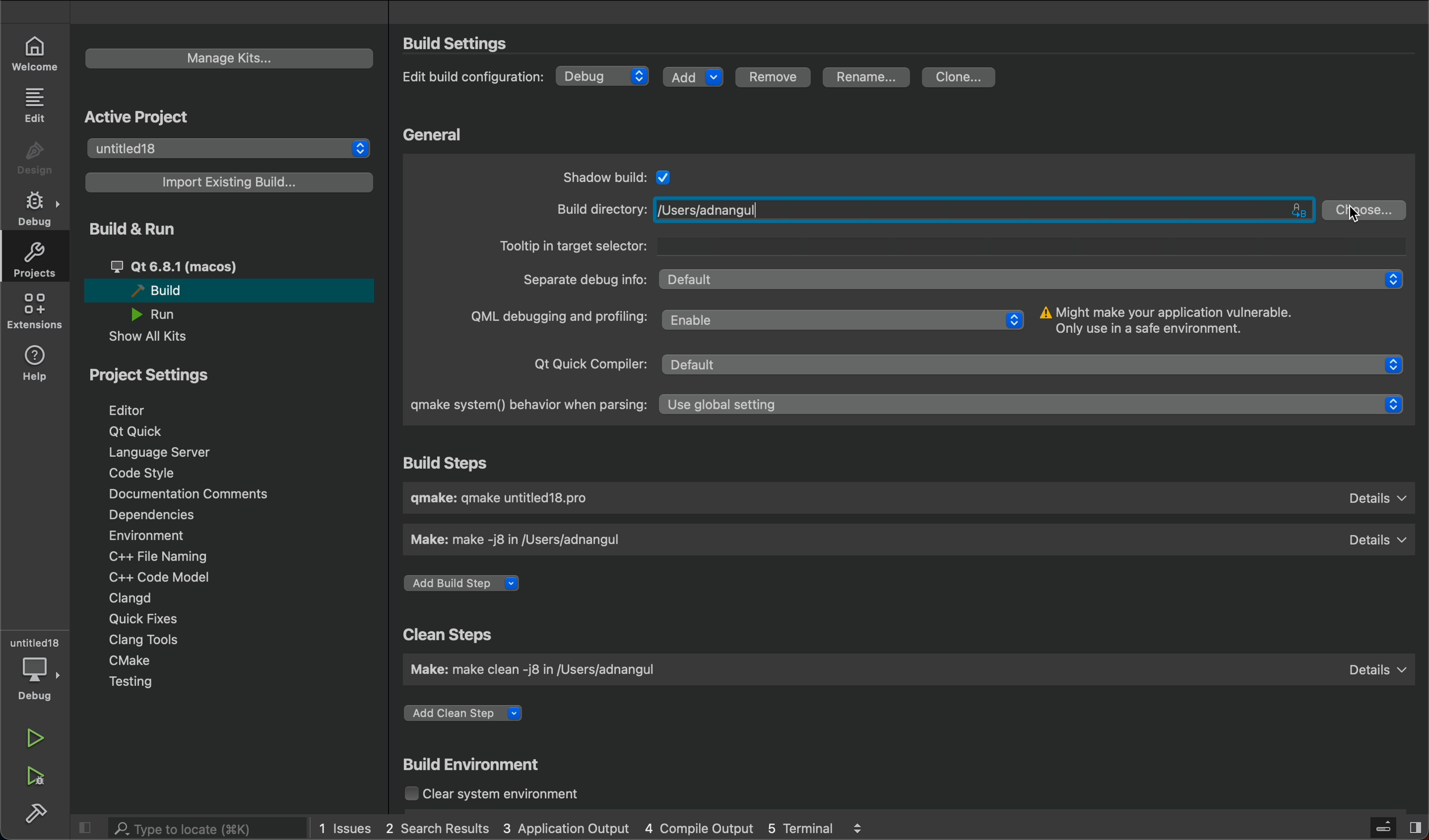 This screenshot has height=840, width=1429. Describe the element at coordinates (34, 364) in the screenshot. I see `help` at that location.